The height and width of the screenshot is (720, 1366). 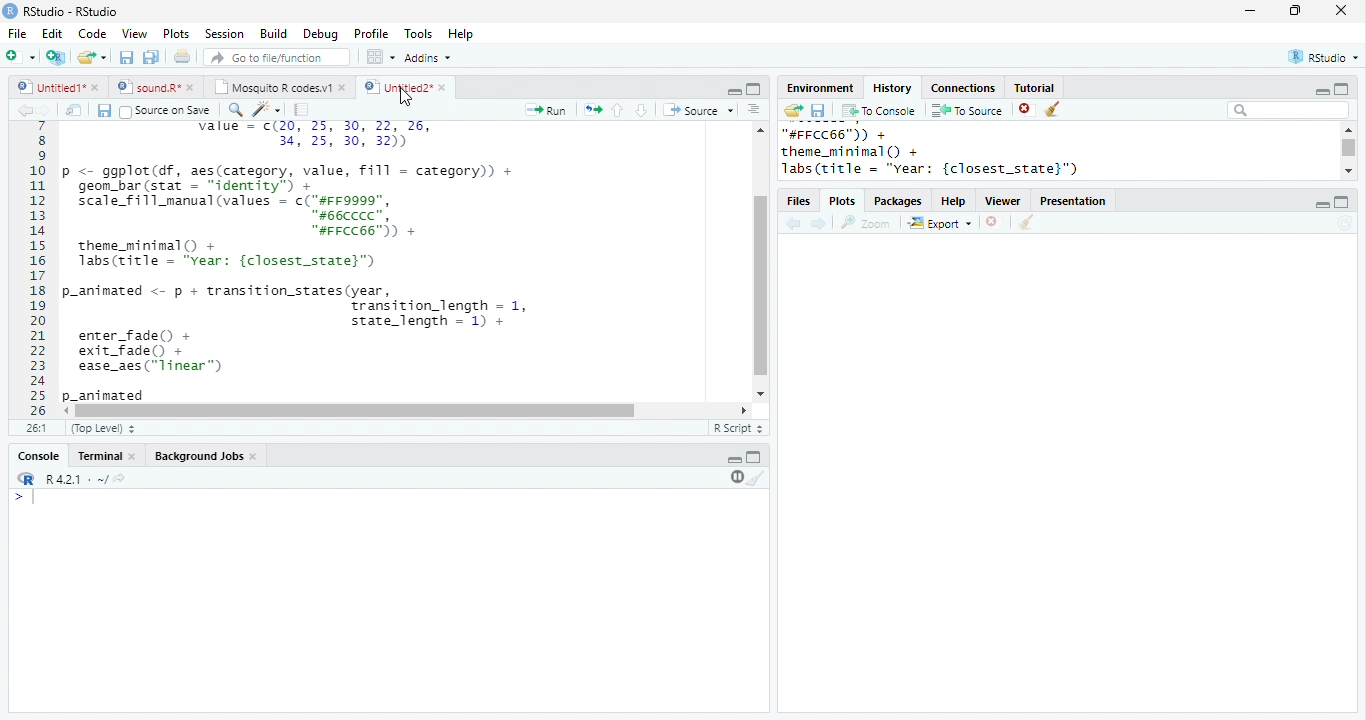 I want to click on close file, so click(x=992, y=222).